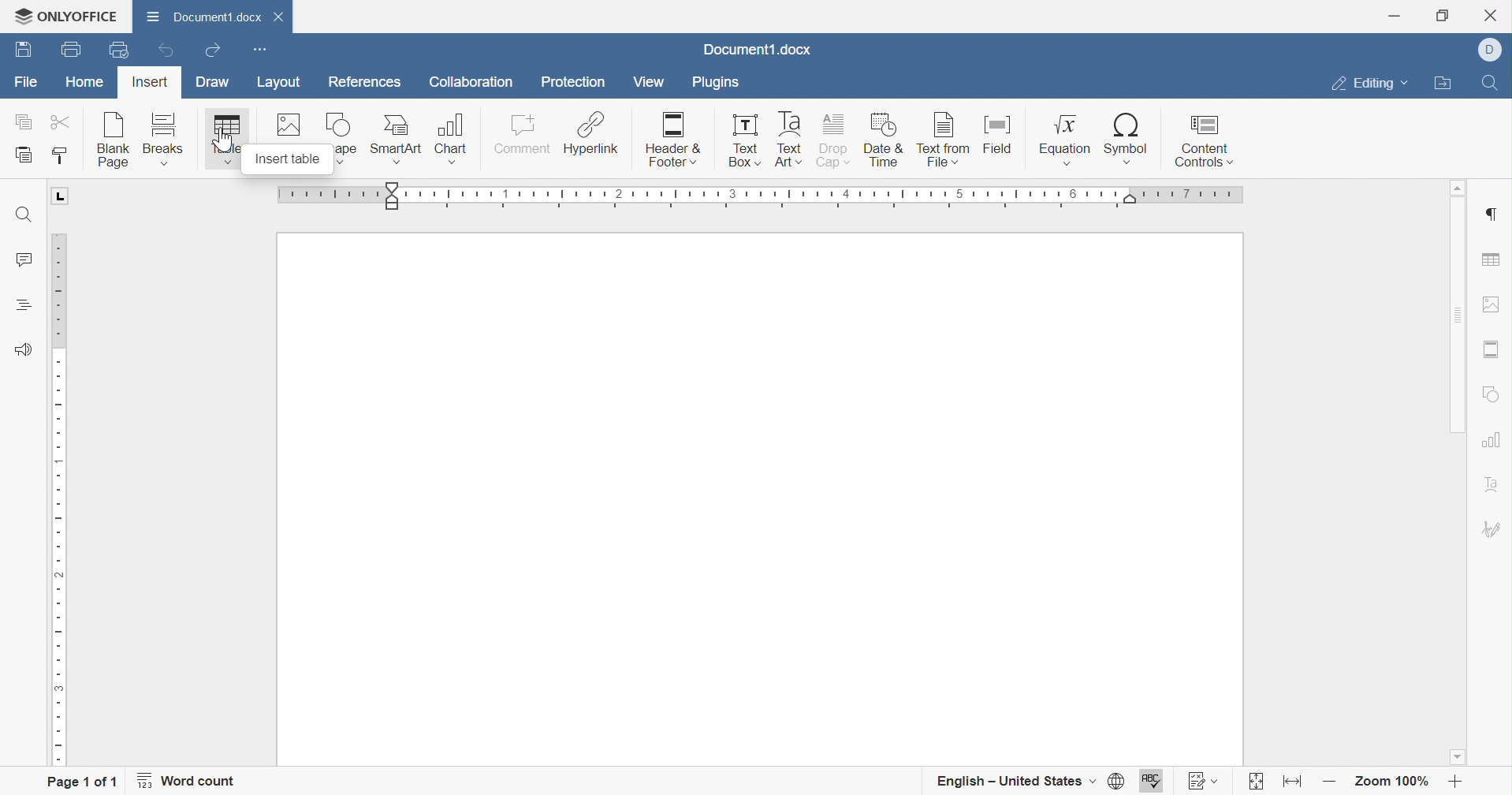 The image size is (1512, 795). What do you see at coordinates (61, 157) in the screenshot?
I see `Copy style` at bounding box center [61, 157].